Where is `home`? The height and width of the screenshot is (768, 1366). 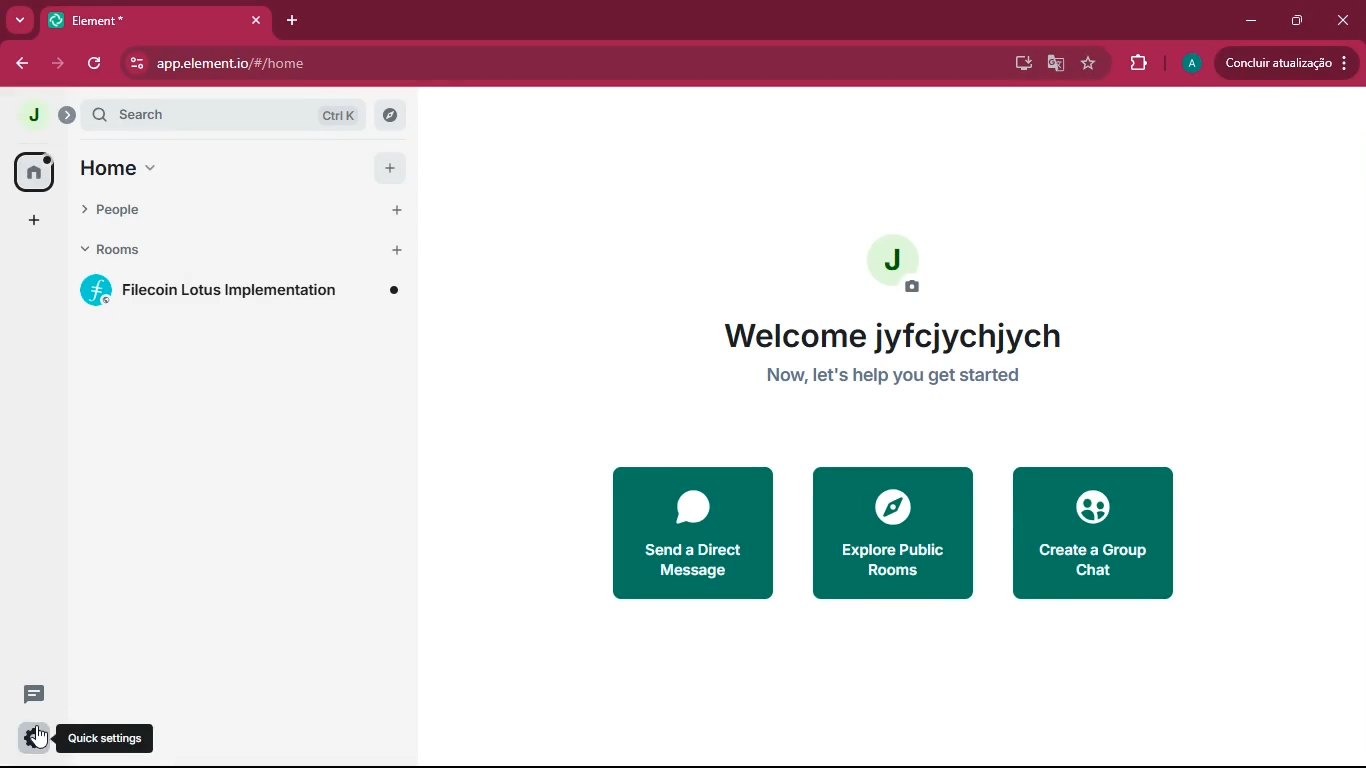 home is located at coordinates (107, 171).